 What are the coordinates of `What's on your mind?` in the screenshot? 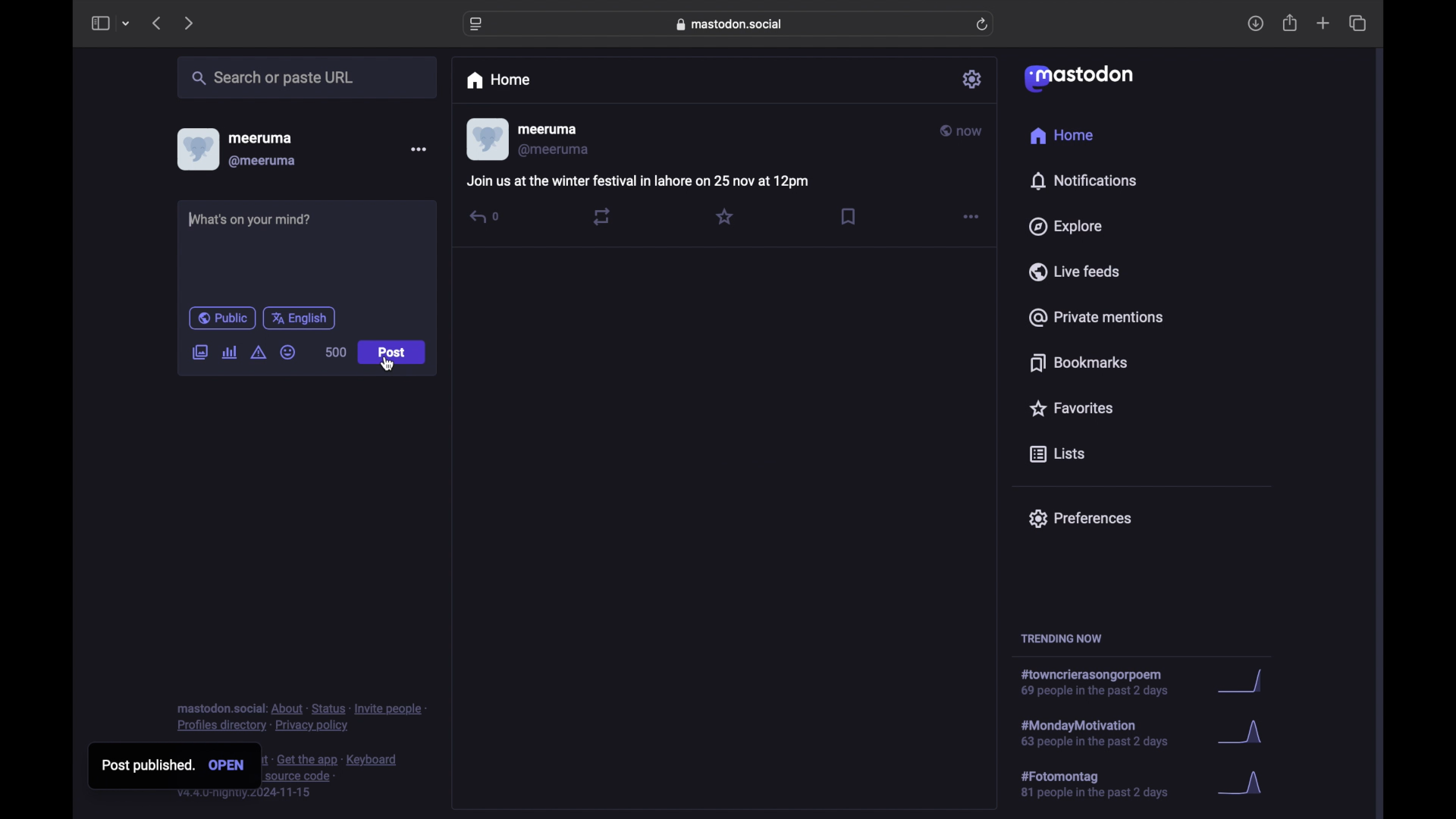 It's located at (258, 221).